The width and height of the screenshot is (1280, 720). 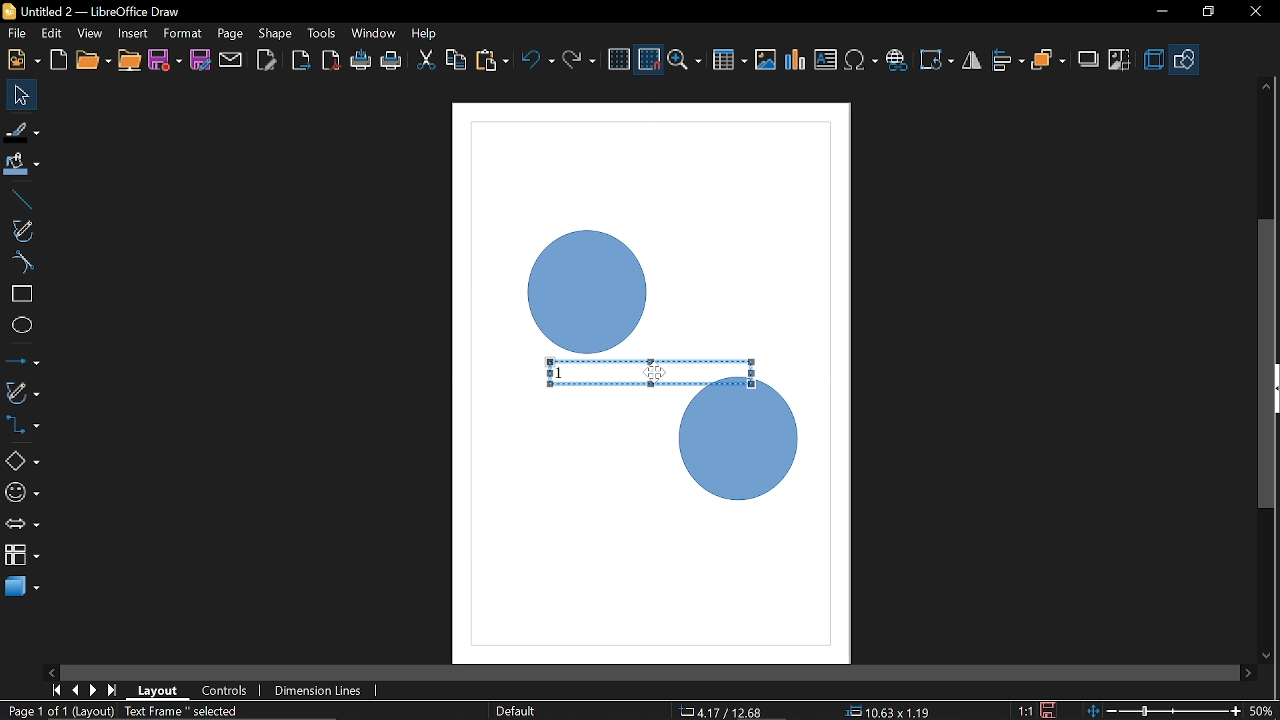 I want to click on print directly, so click(x=392, y=60).